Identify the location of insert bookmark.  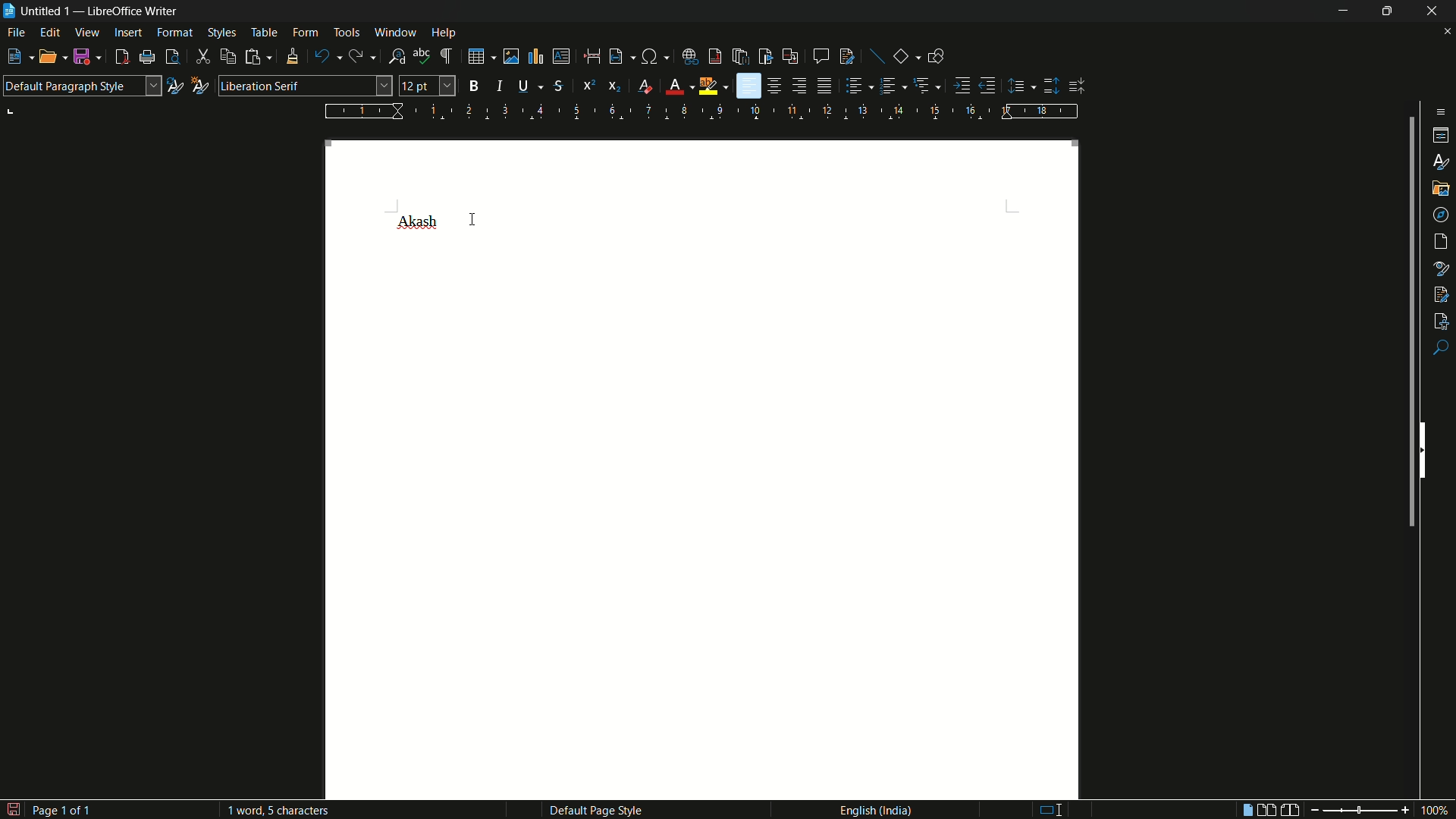
(766, 56).